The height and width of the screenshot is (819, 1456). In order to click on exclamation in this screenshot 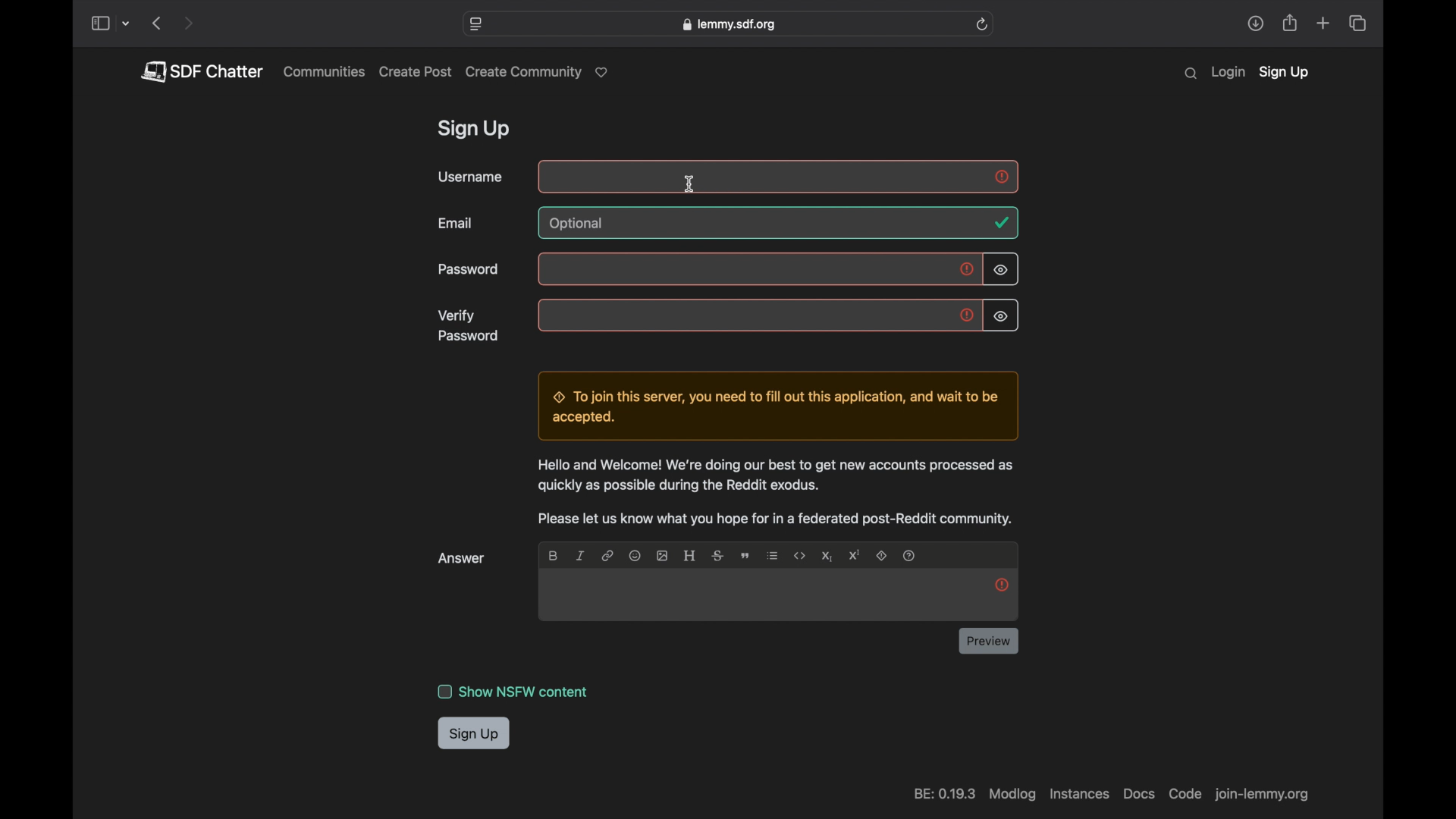, I will do `click(968, 316)`.